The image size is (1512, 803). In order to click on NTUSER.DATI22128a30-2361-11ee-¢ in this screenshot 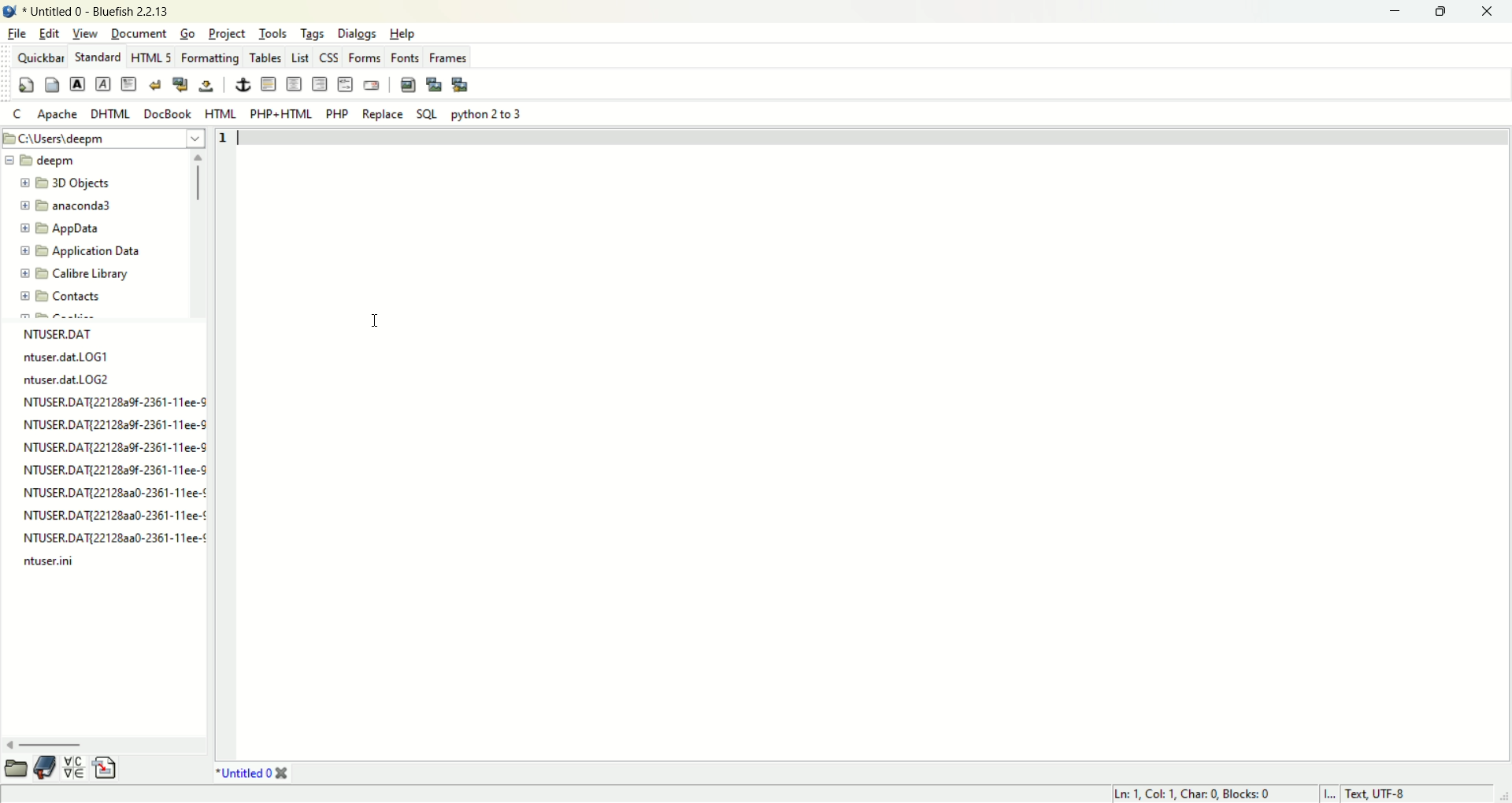, I will do `click(114, 517)`.